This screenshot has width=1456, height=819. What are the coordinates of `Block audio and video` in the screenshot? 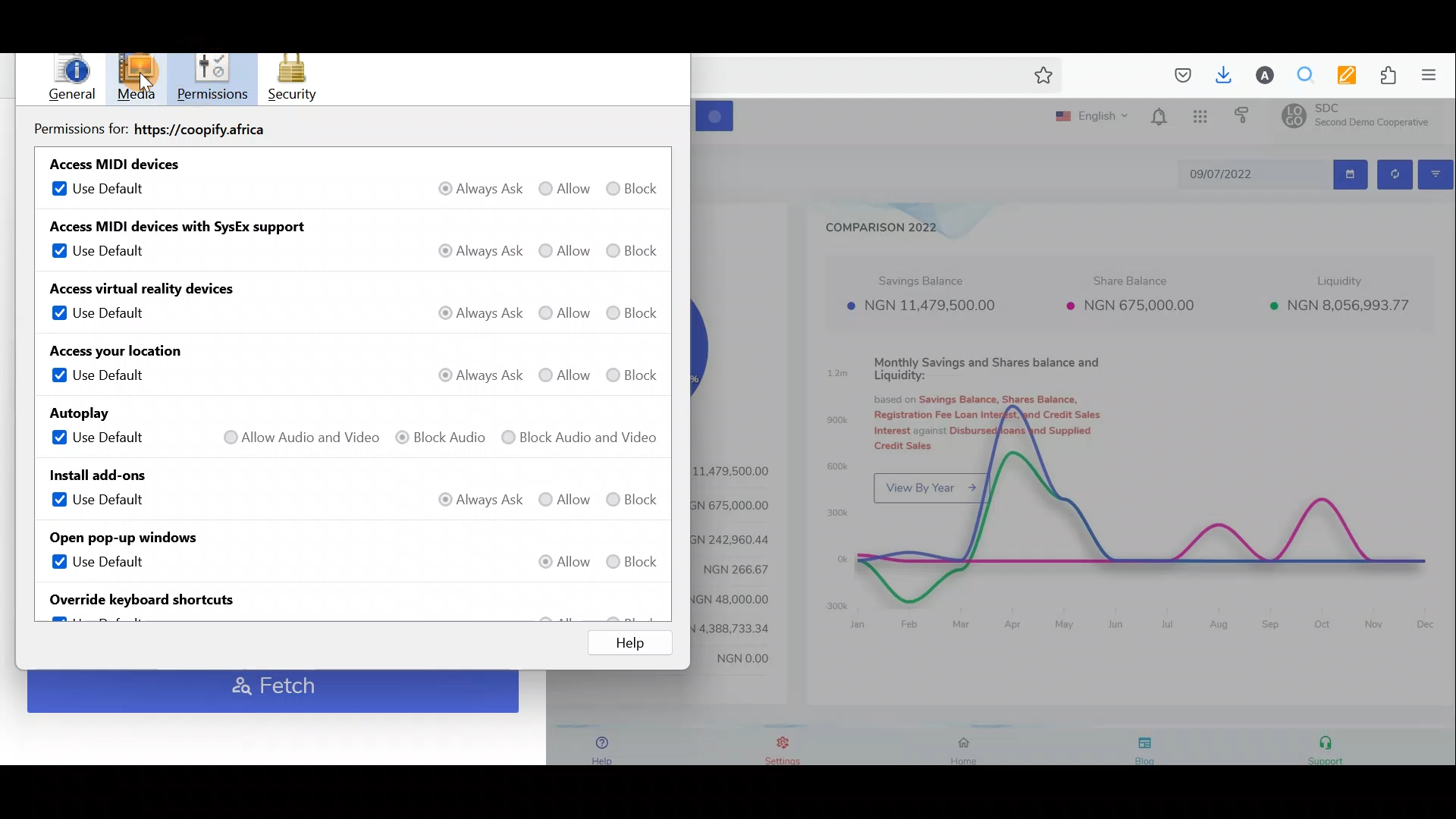 It's located at (584, 439).